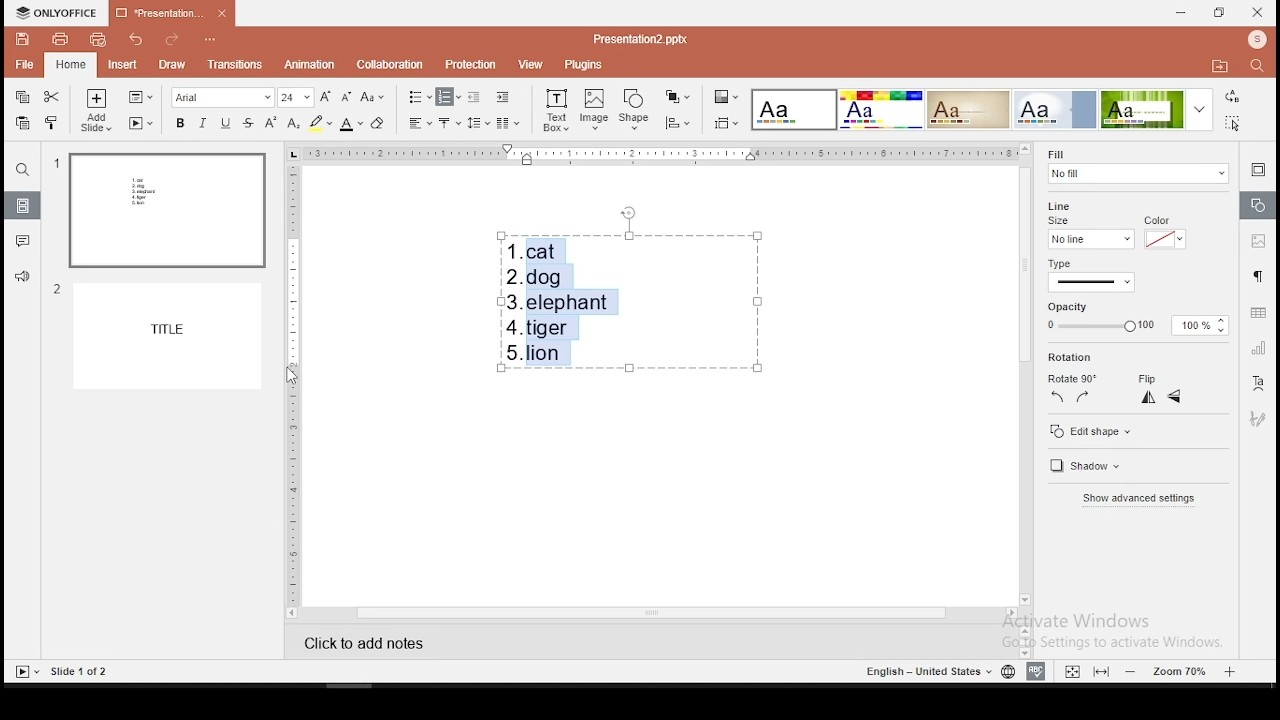  What do you see at coordinates (1136, 499) in the screenshot?
I see `show advanced settings` at bounding box center [1136, 499].